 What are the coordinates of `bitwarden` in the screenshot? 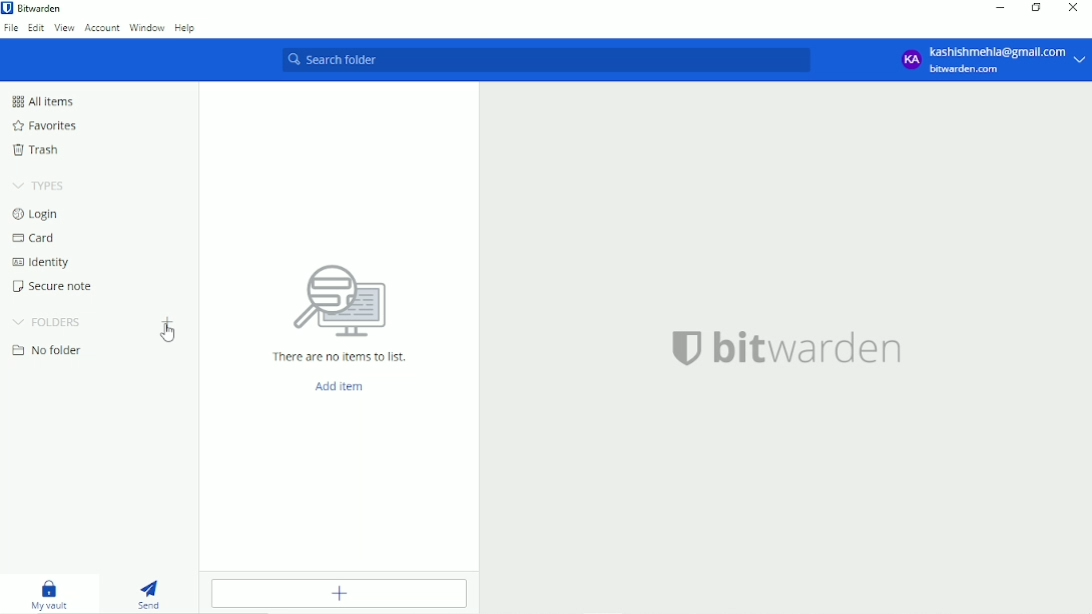 It's located at (812, 352).